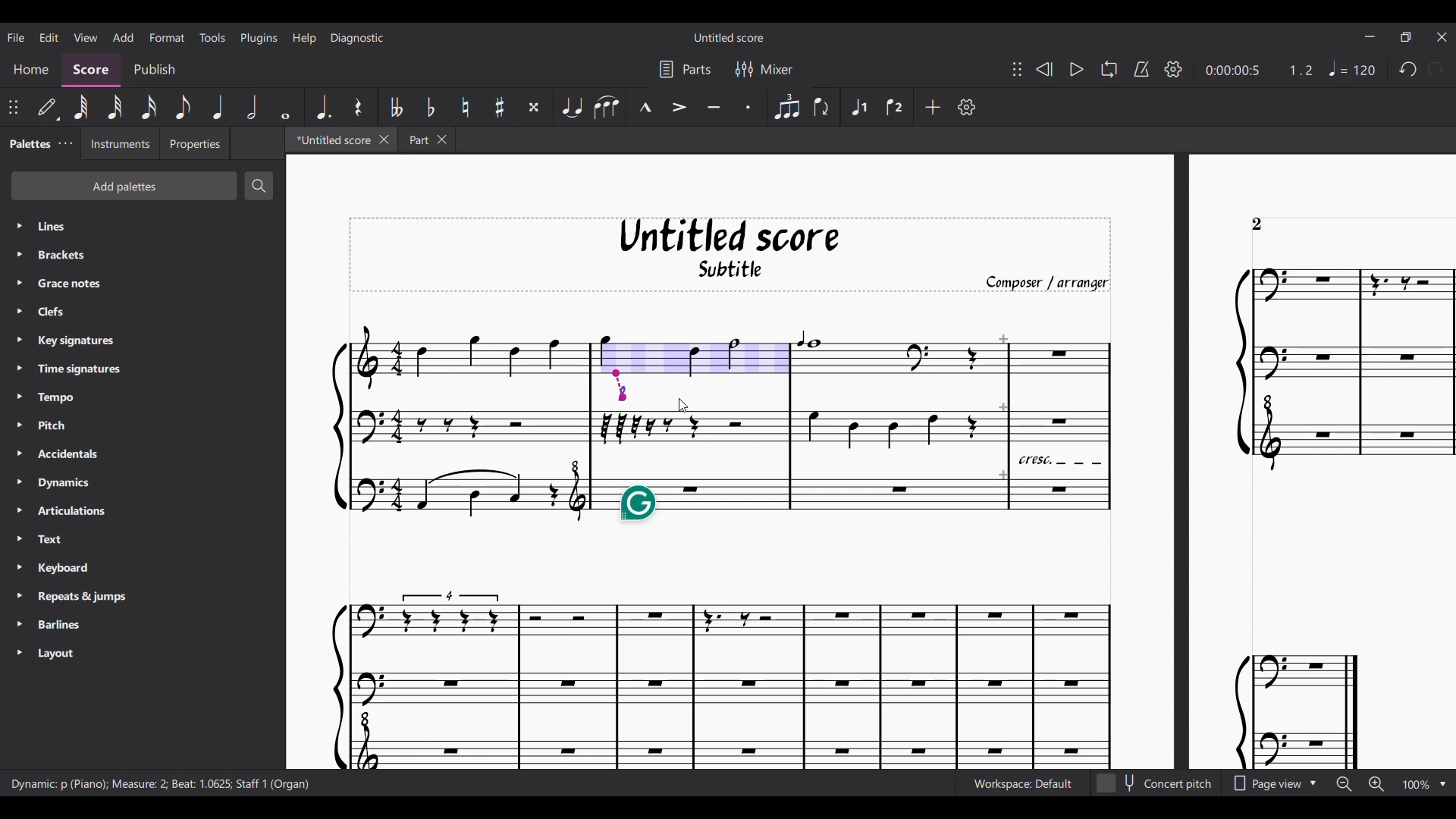  Describe the element at coordinates (1173, 69) in the screenshot. I see `Playback setting` at that location.